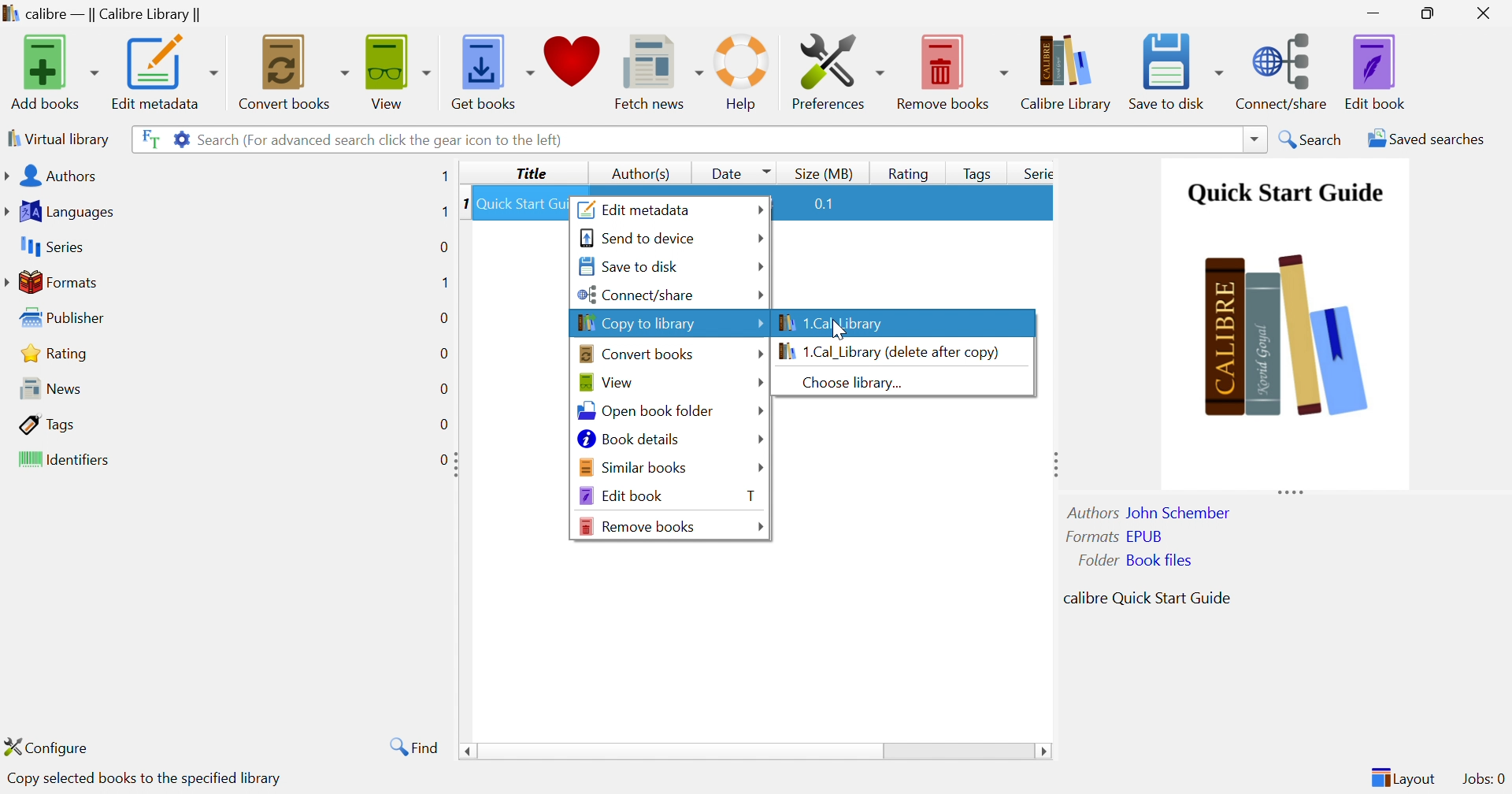 Image resolution: width=1512 pixels, height=794 pixels. Describe the element at coordinates (416, 747) in the screenshot. I see `Find` at that location.